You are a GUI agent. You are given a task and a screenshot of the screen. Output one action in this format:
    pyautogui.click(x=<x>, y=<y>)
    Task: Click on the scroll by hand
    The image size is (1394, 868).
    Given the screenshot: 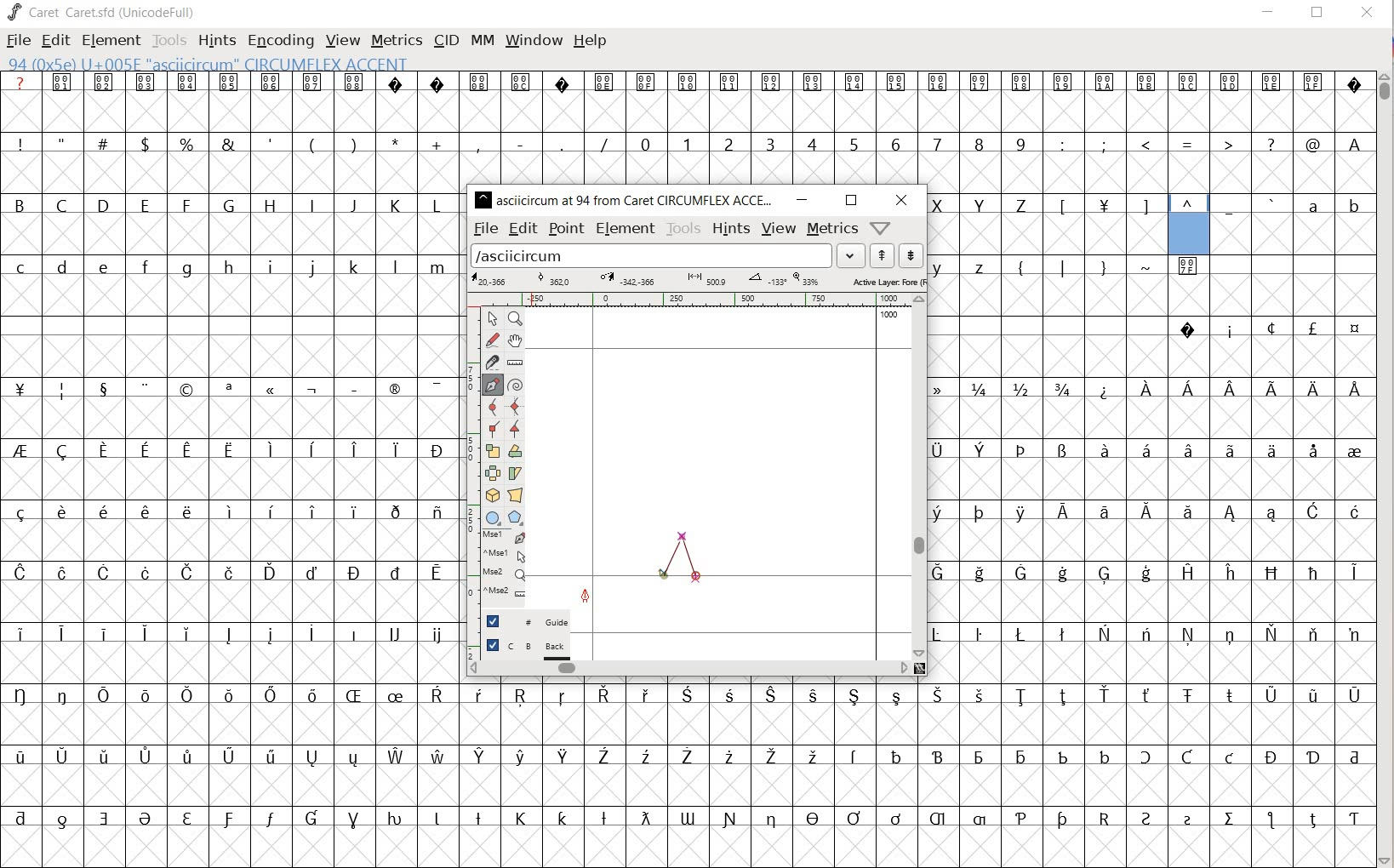 What is the action you would take?
    pyautogui.click(x=517, y=340)
    